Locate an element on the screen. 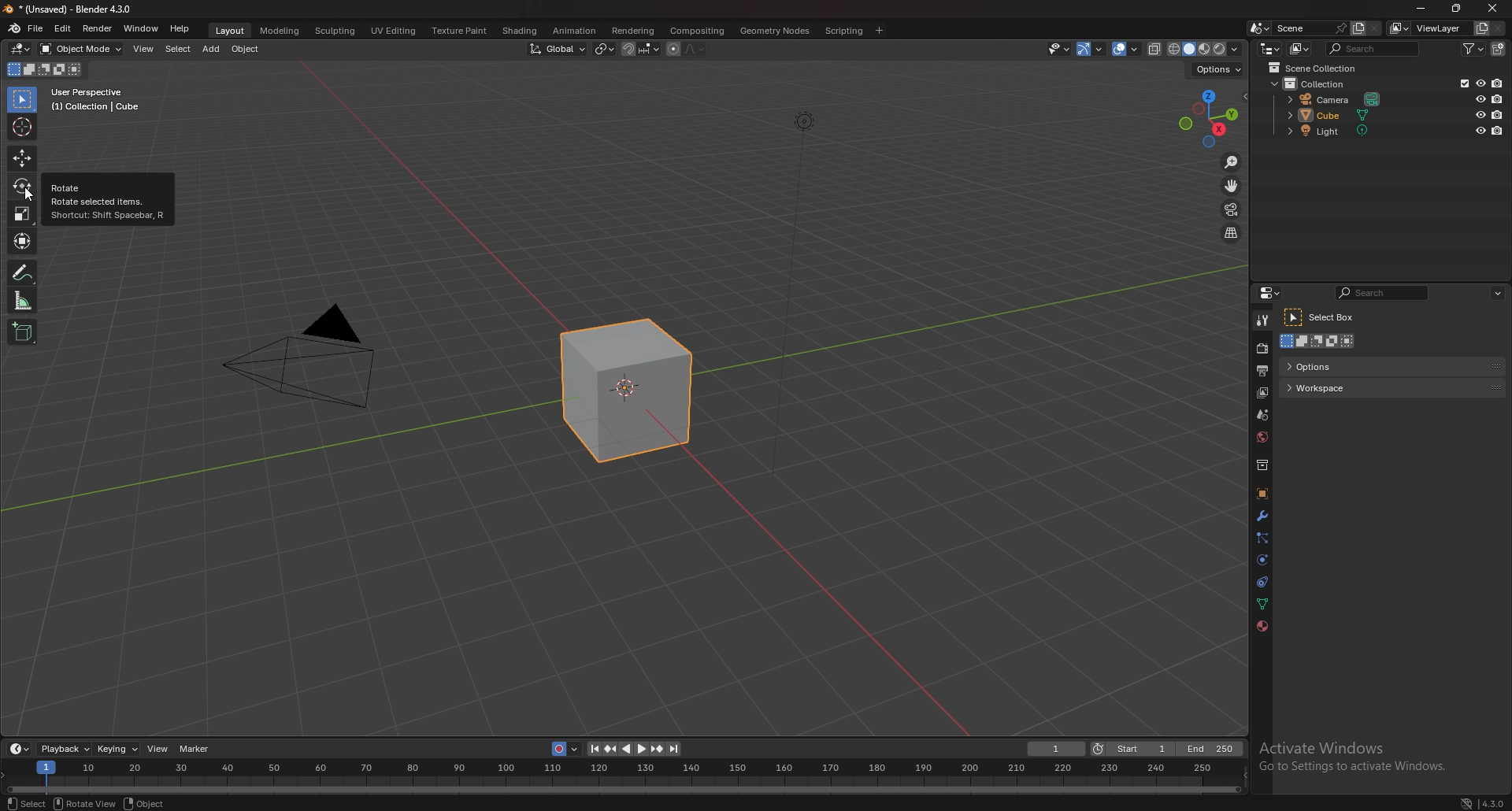 The height and width of the screenshot is (811, 1512). options is located at coordinates (1499, 293).